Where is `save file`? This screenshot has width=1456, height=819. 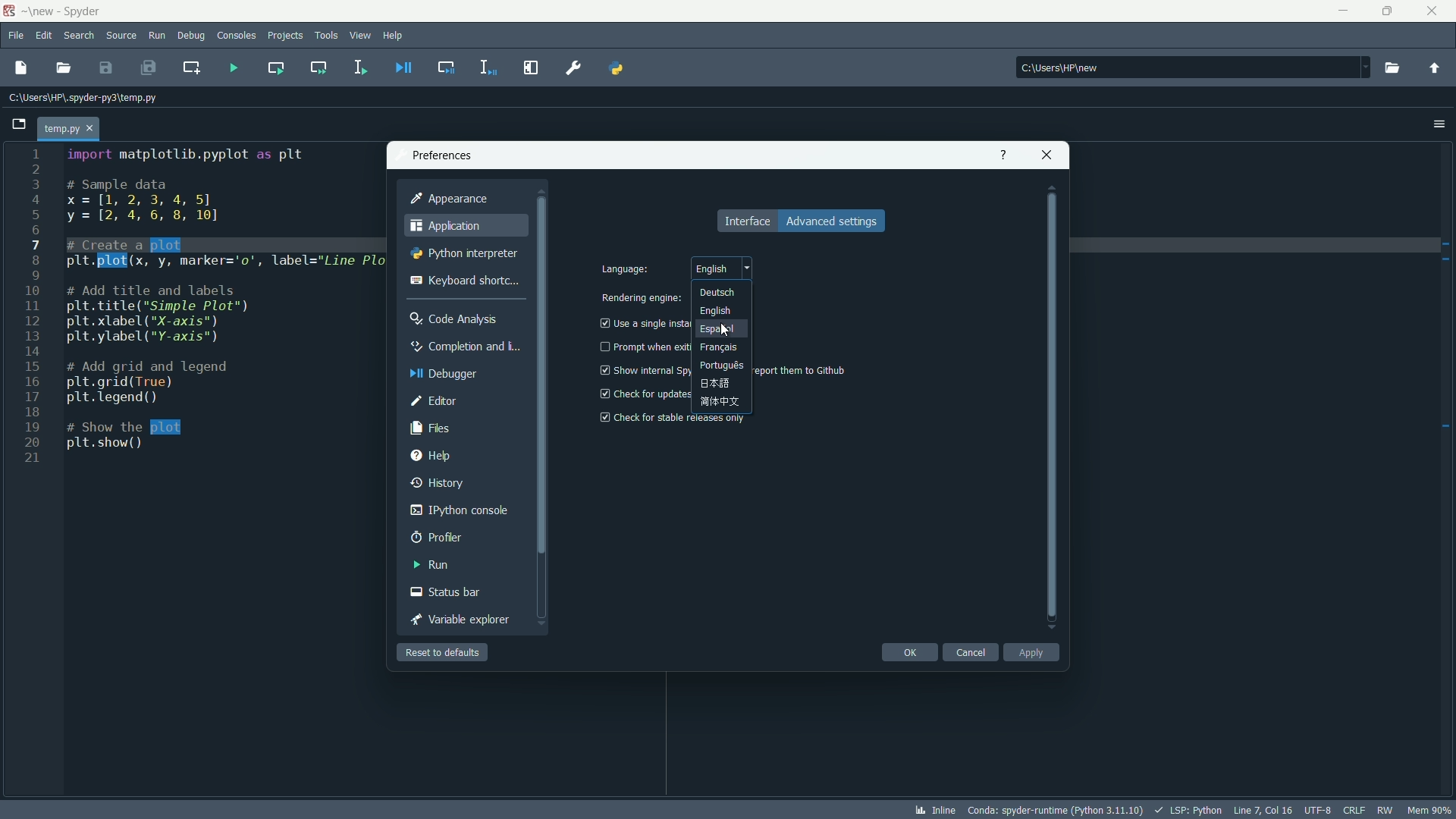
save file is located at coordinates (106, 68).